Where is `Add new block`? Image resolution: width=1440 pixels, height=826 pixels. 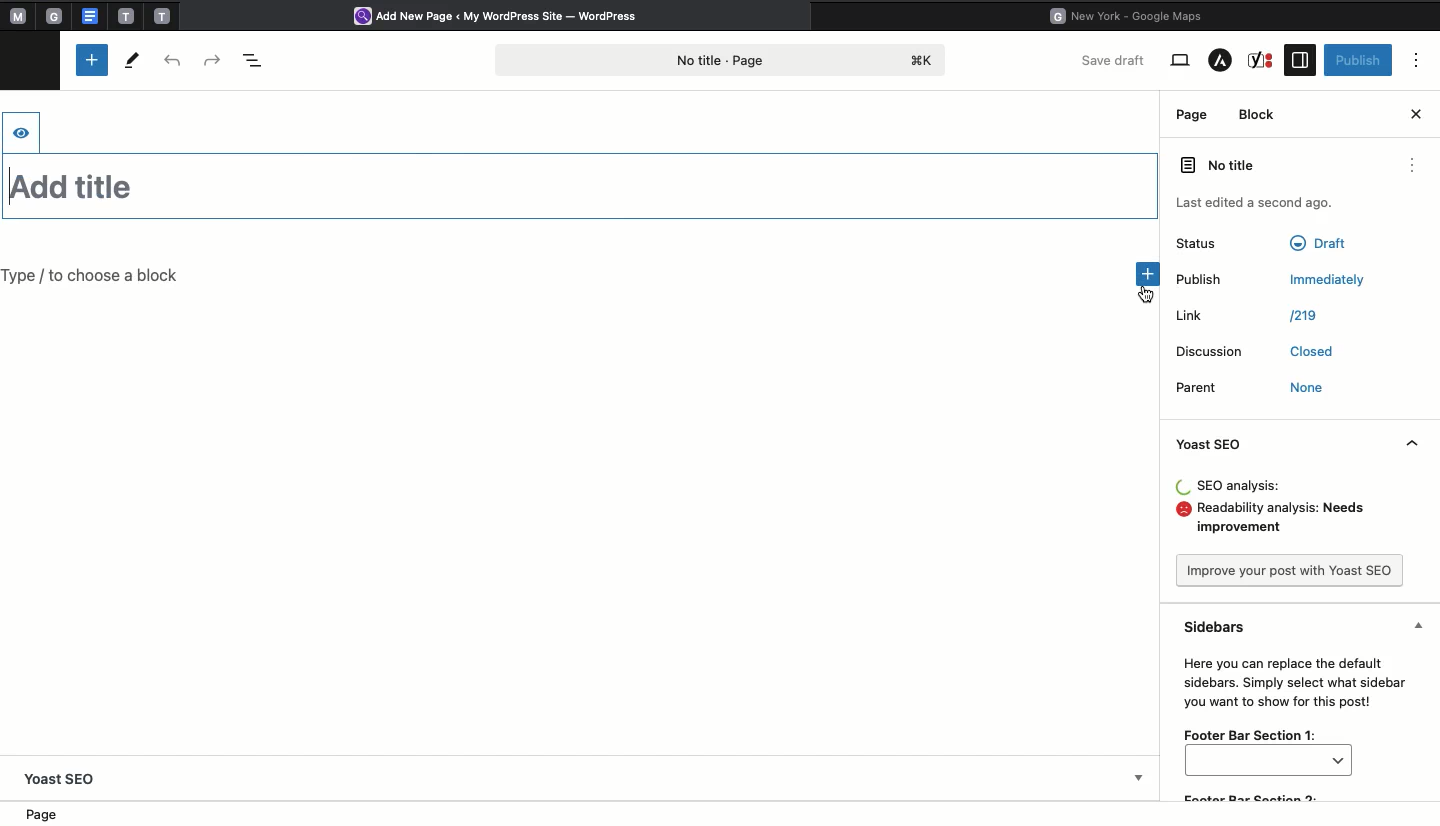
Add new block is located at coordinates (92, 60).